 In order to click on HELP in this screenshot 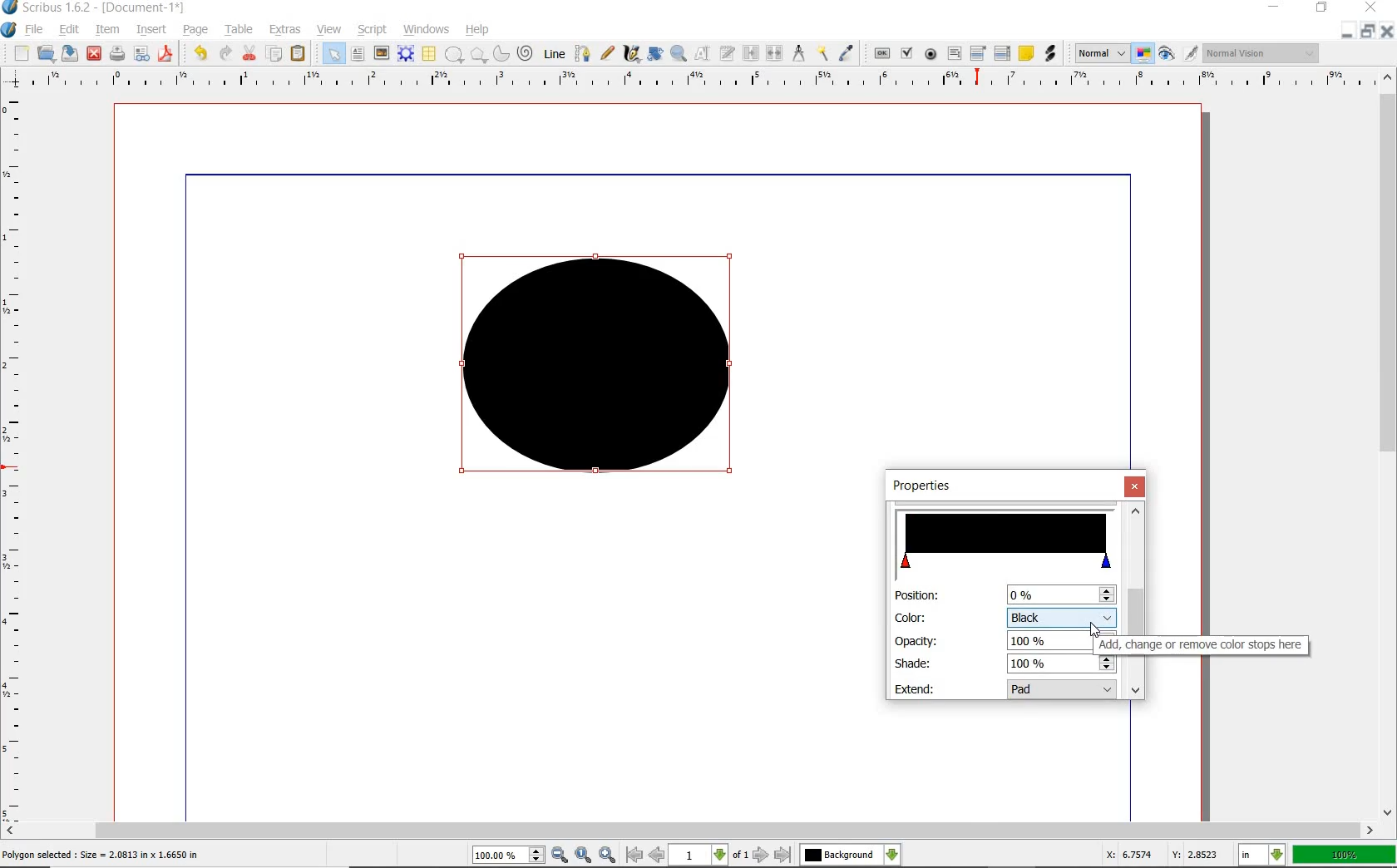, I will do `click(481, 28)`.